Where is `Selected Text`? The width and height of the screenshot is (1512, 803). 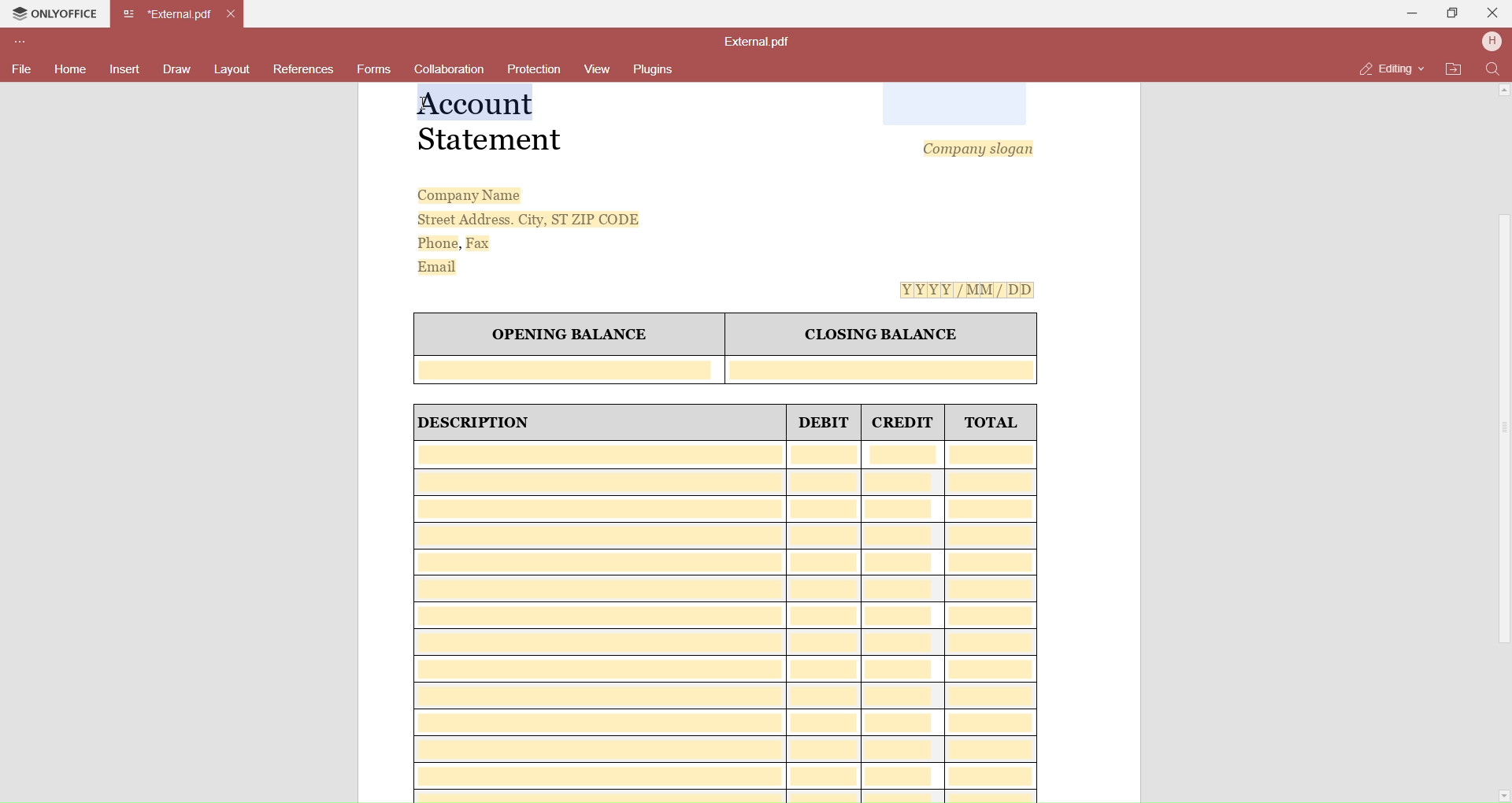 Selected Text is located at coordinates (476, 102).